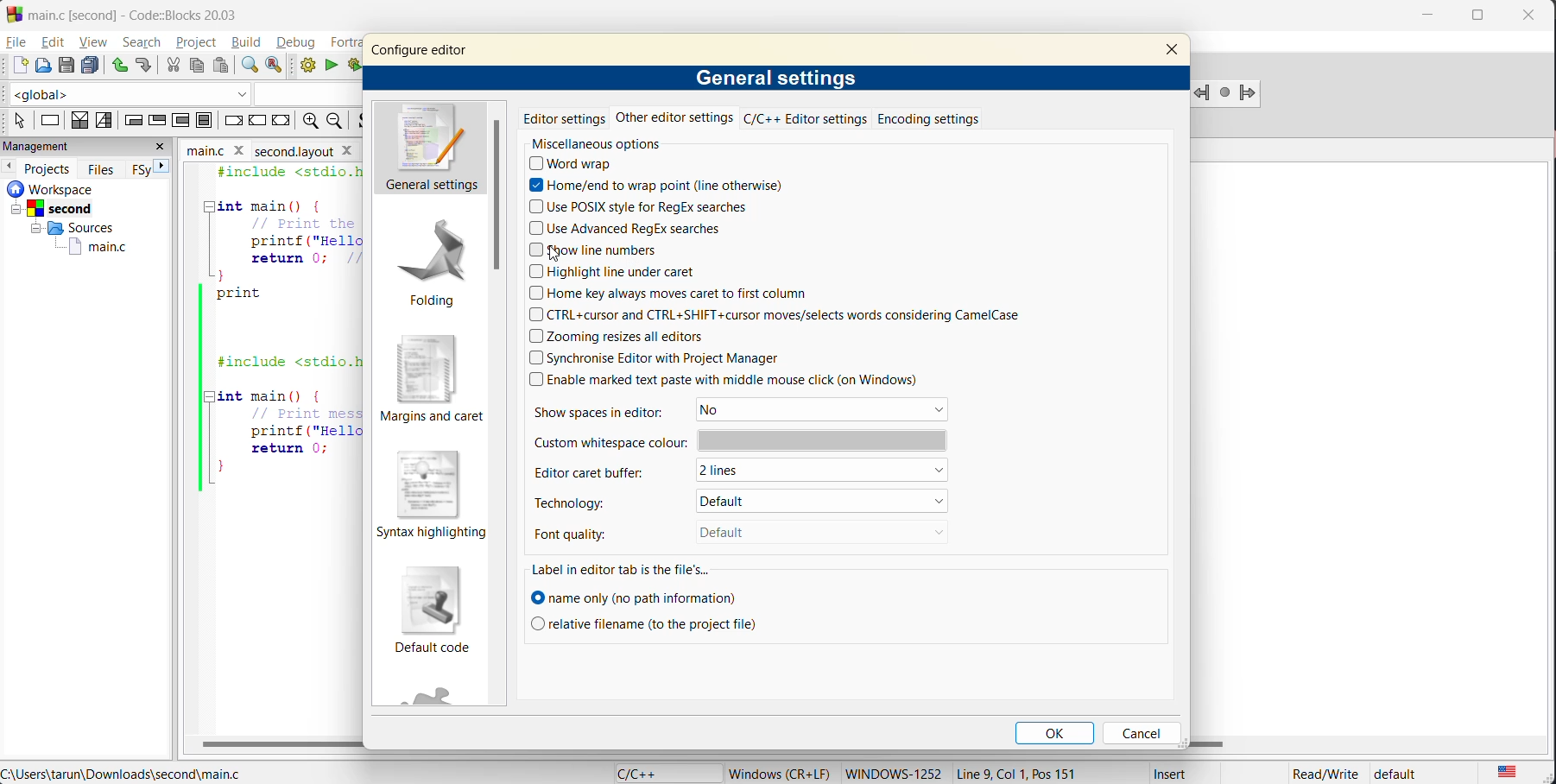 The width and height of the screenshot is (1556, 784). I want to click on Jump forward, so click(1249, 91).